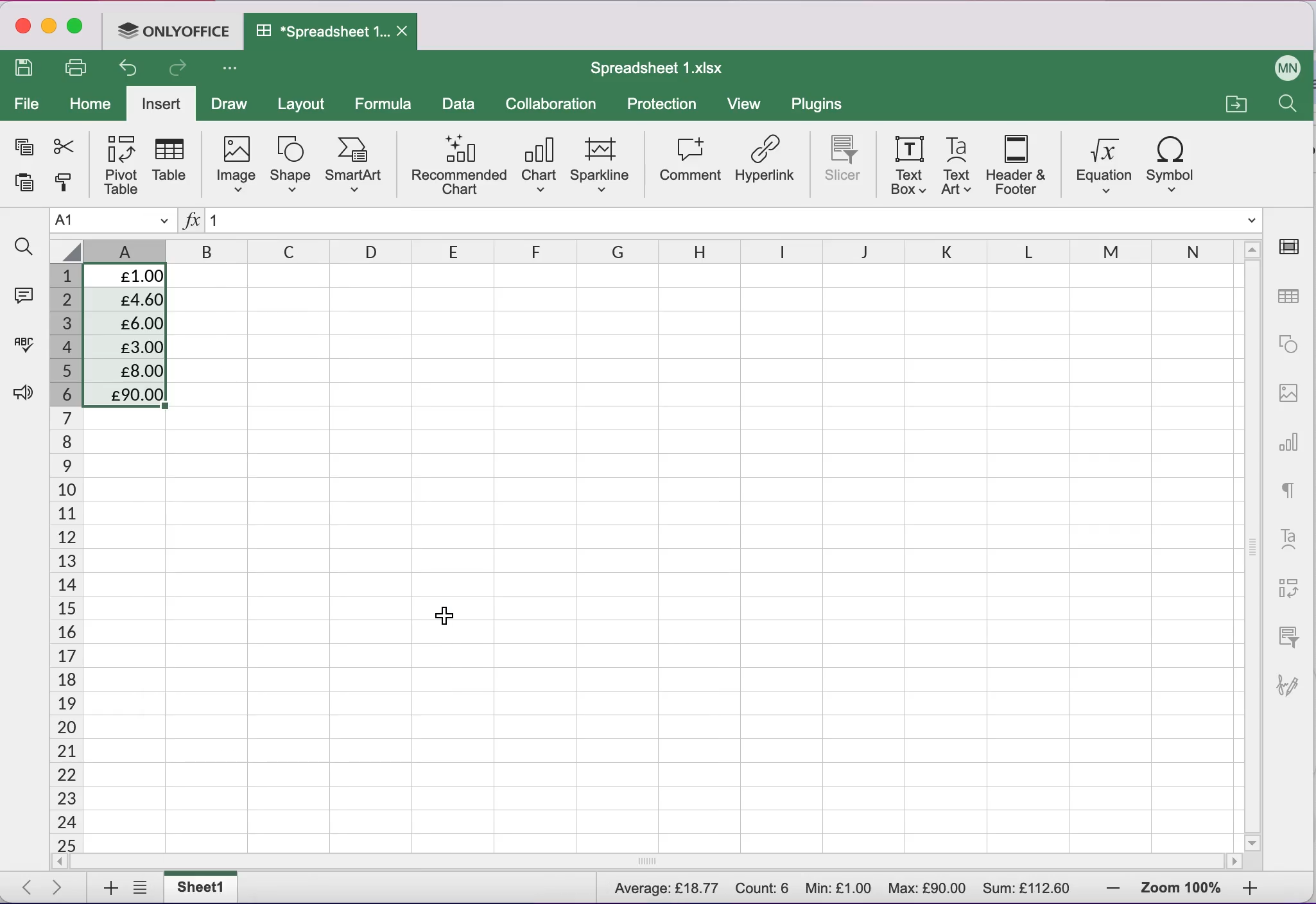 The width and height of the screenshot is (1316, 904). I want to click on hyperlink, so click(767, 164).